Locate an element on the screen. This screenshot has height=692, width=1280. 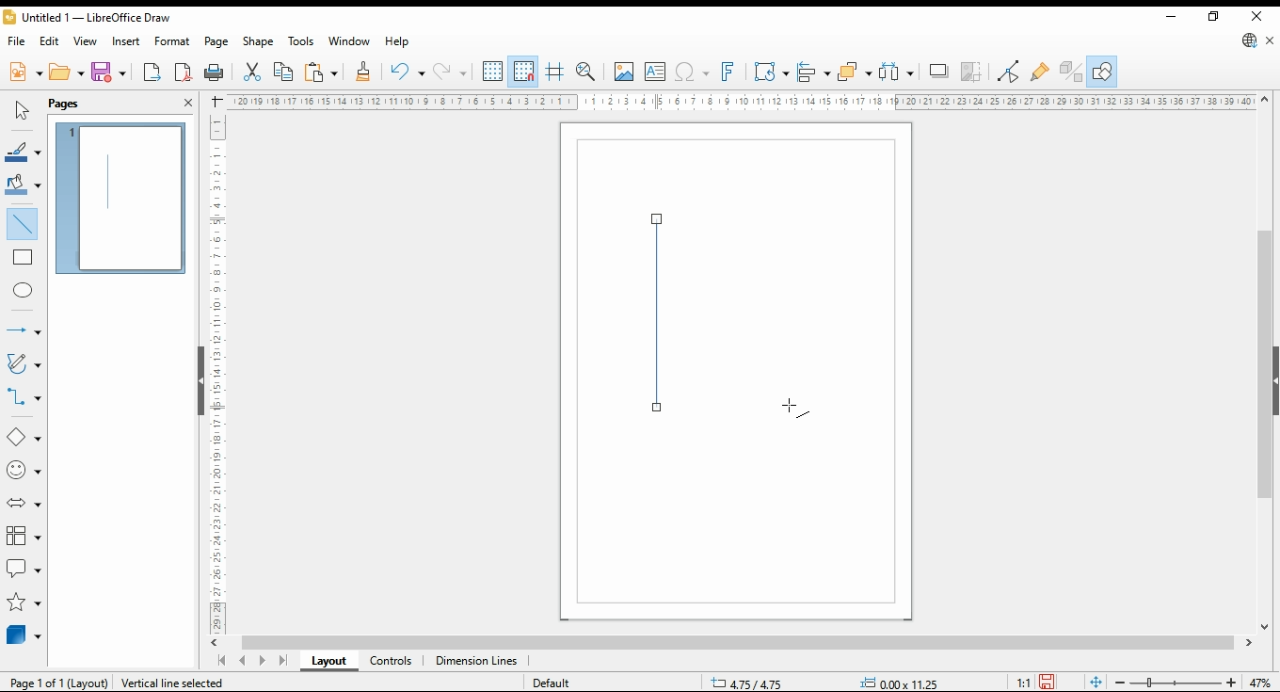
default is located at coordinates (557, 684).